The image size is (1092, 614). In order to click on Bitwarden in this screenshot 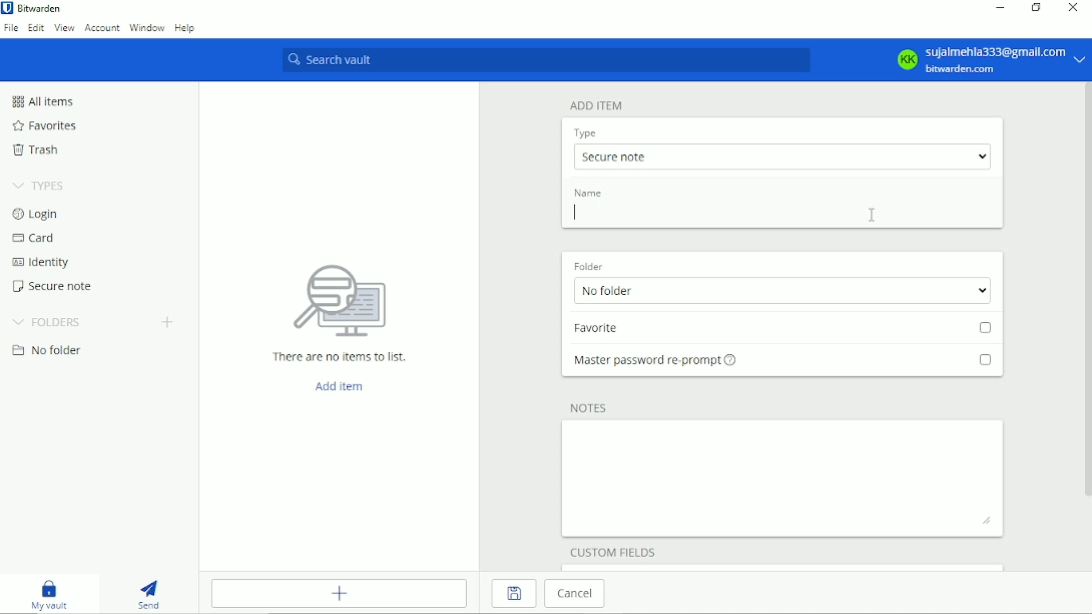, I will do `click(35, 8)`.